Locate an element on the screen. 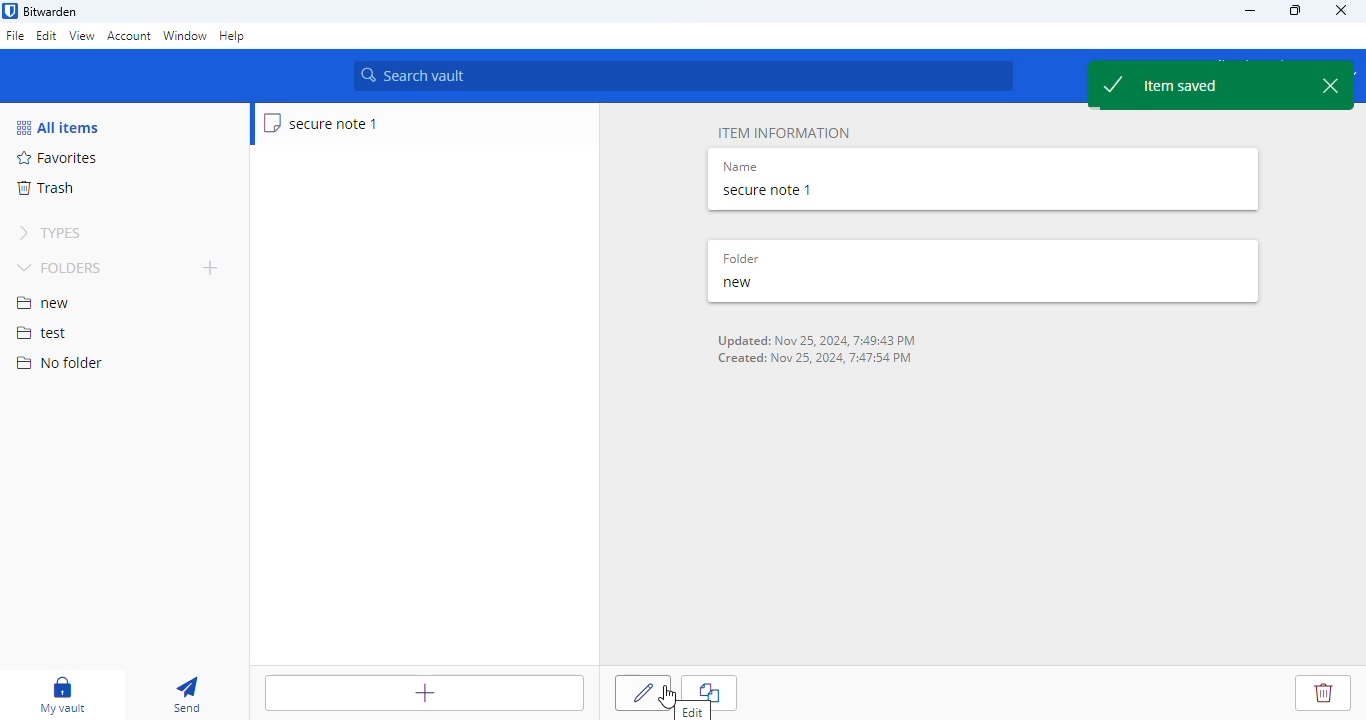 This screenshot has height=720, width=1366. folders is located at coordinates (62, 267).